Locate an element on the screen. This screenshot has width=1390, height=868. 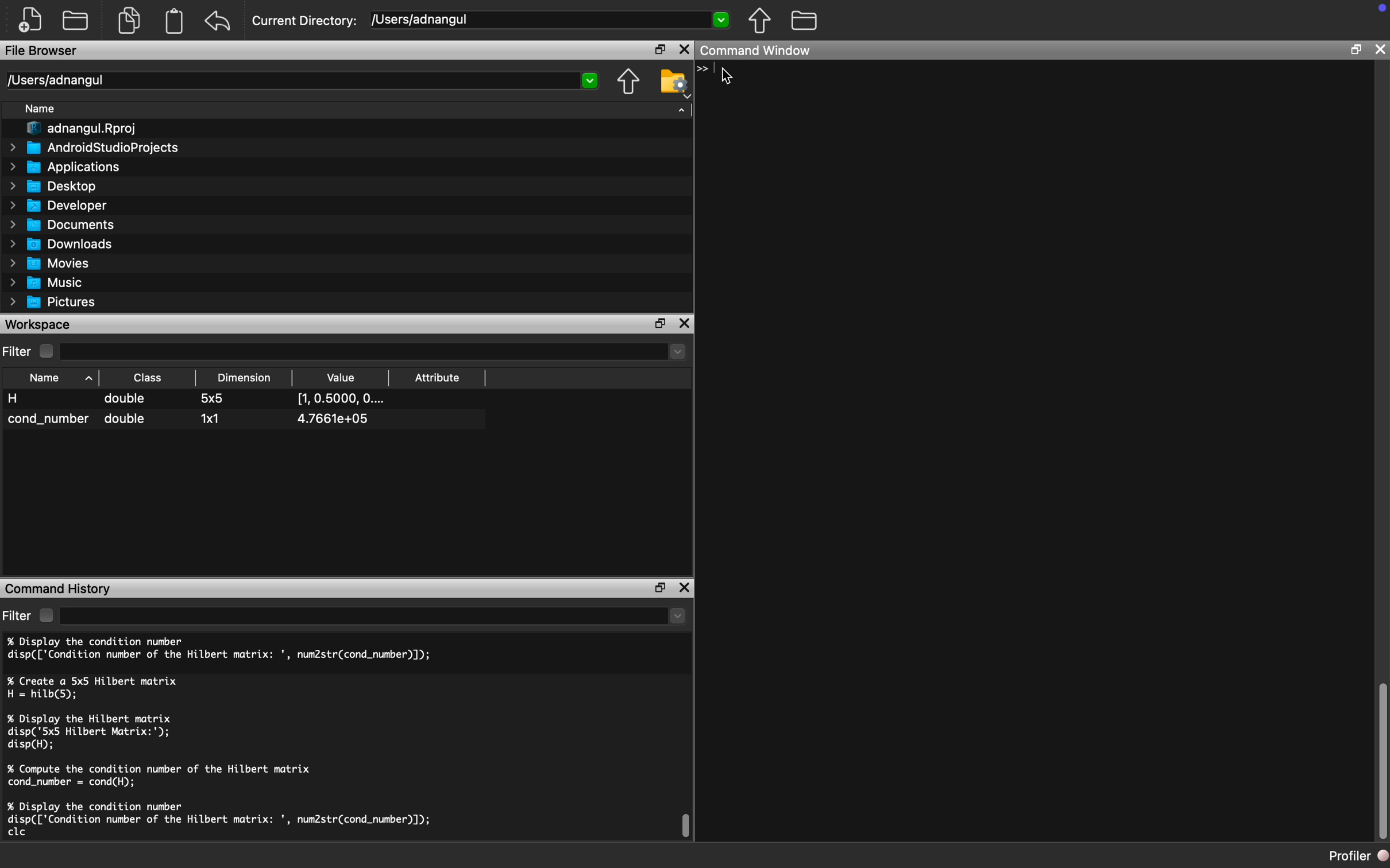
Downloads is located at coordinates (61, 243).